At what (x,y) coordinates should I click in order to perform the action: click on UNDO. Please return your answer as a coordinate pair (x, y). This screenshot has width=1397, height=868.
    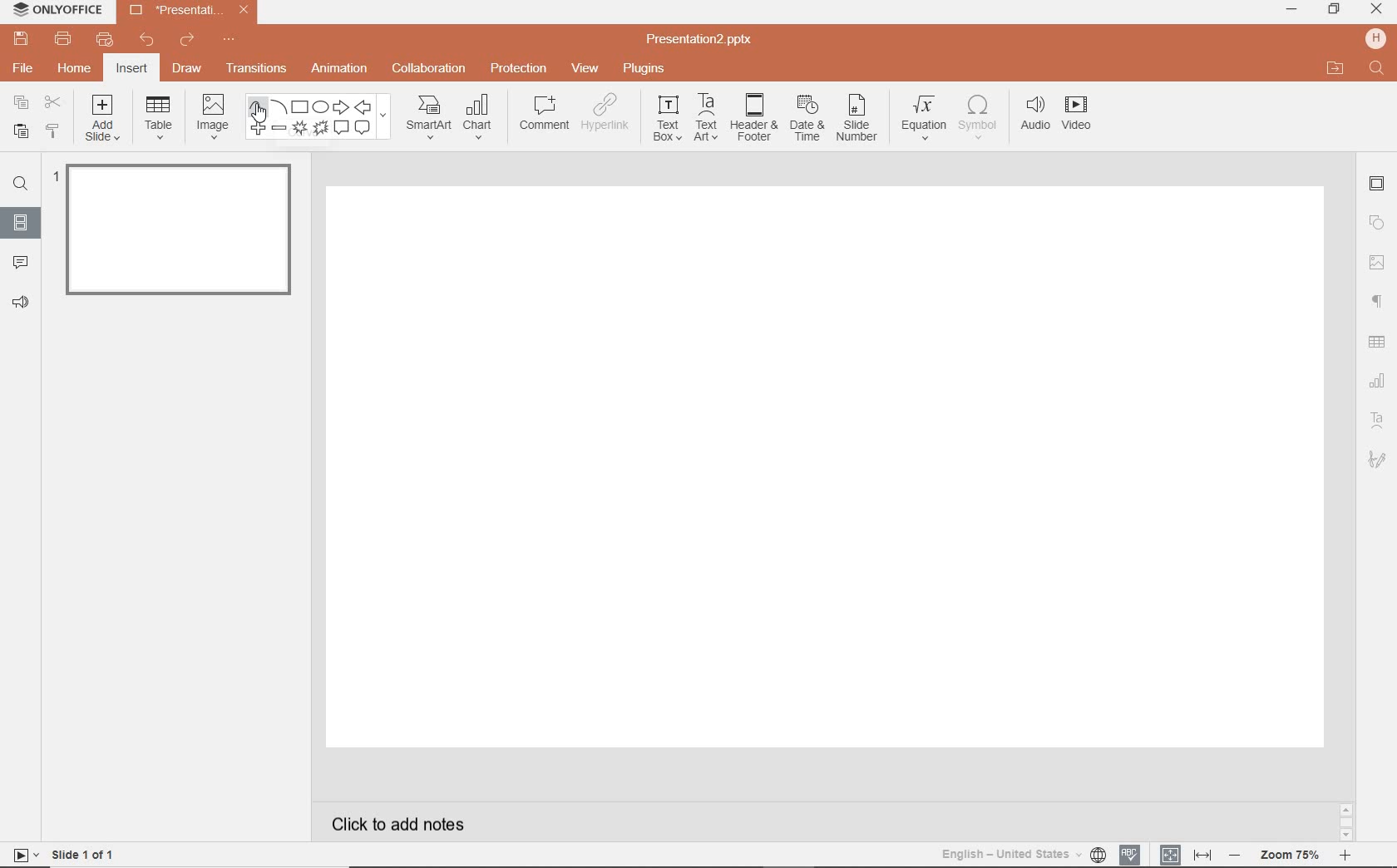
    Looking at the image, I should click on (146, 42).